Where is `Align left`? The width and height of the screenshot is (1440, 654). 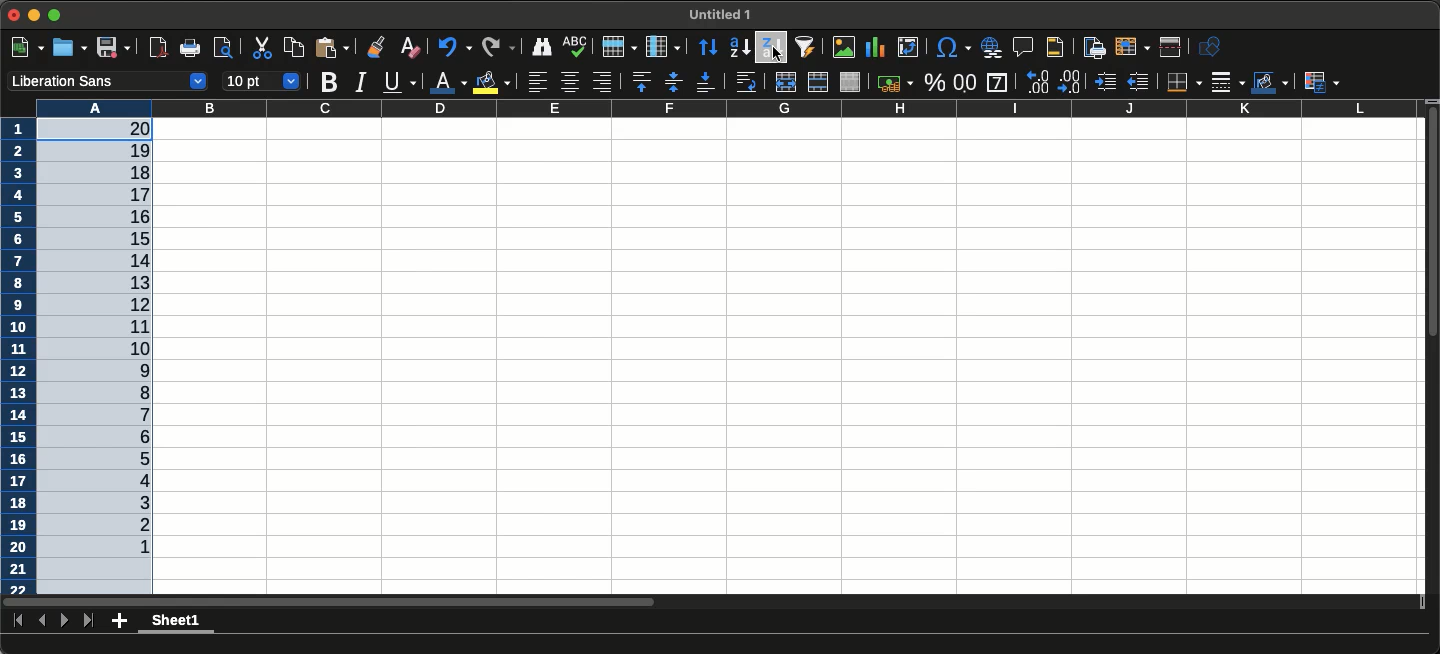 Align left is located at coordinates (539, 83).